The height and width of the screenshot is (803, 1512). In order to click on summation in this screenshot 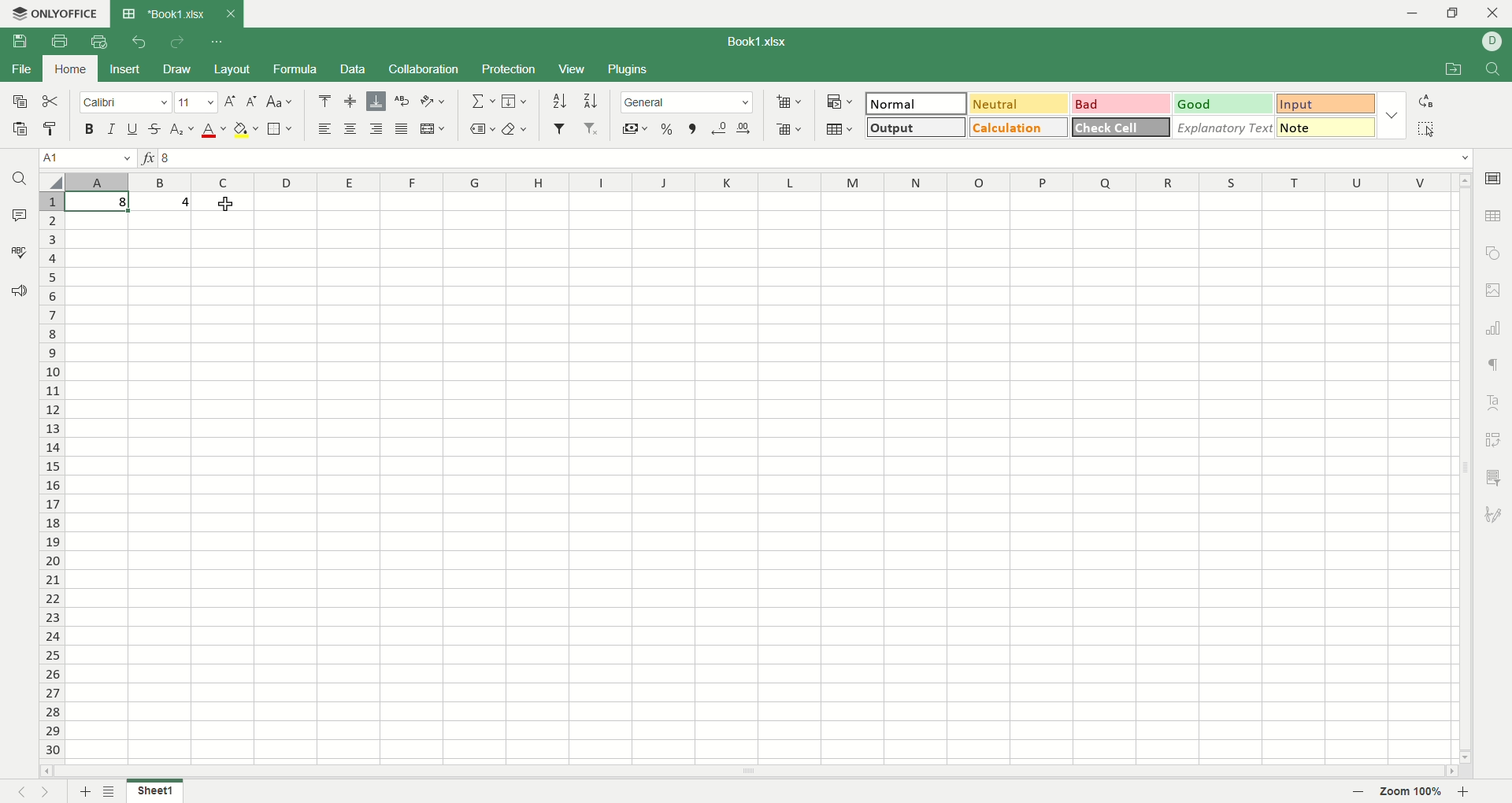, I will do `click(482, 101)`.